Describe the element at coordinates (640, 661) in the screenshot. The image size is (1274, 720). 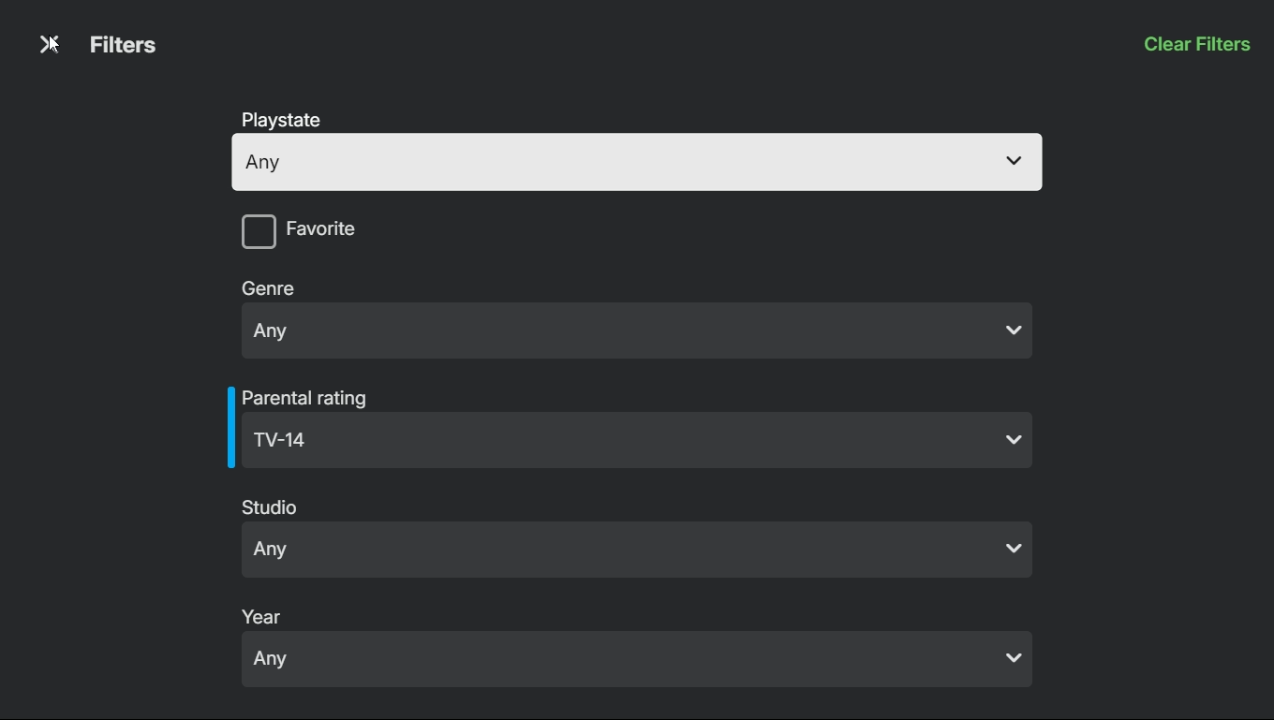
I see `Any` at that location.